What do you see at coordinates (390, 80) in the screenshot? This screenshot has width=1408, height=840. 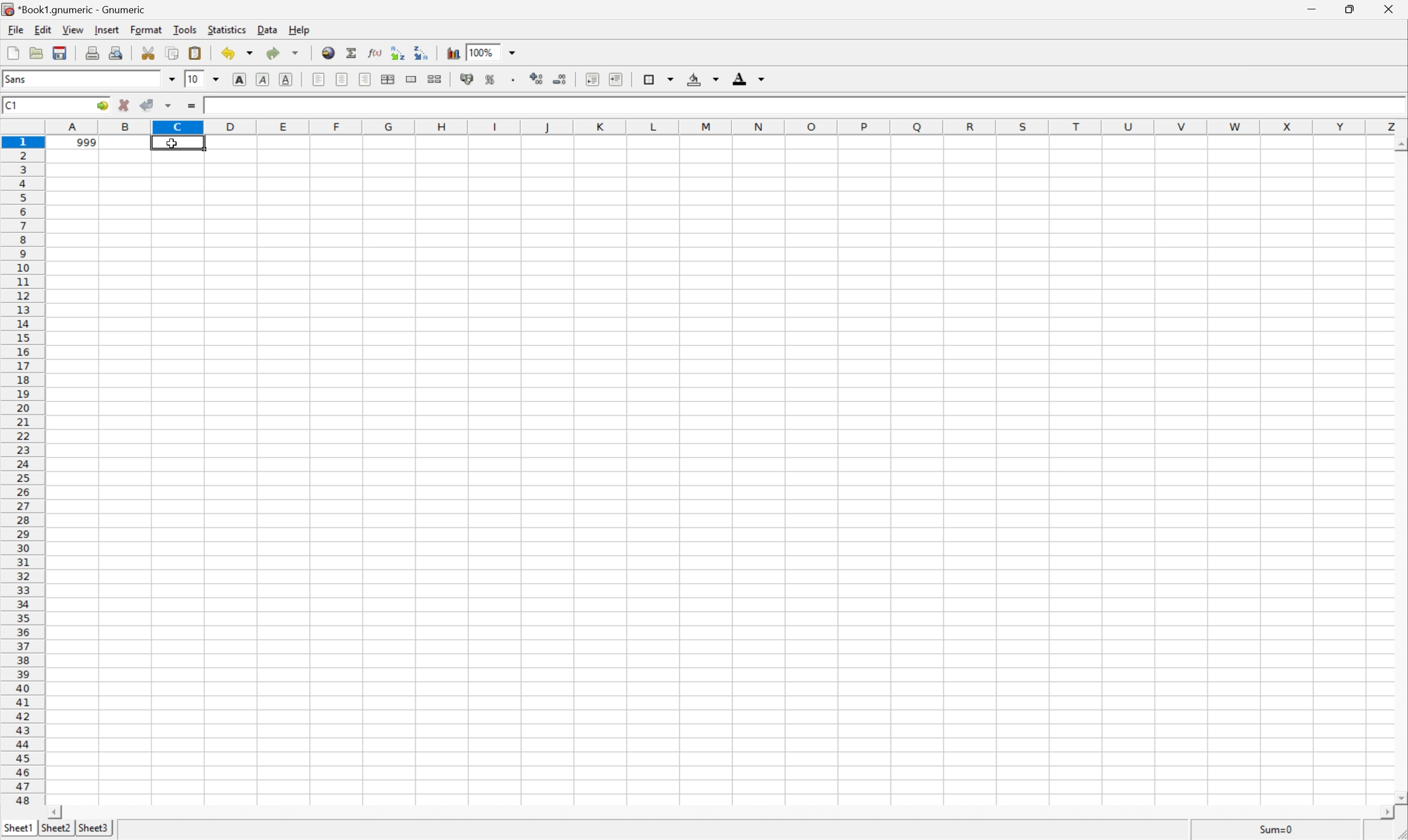 I see `center horizontally across selection` at bounding box center [390, 80].